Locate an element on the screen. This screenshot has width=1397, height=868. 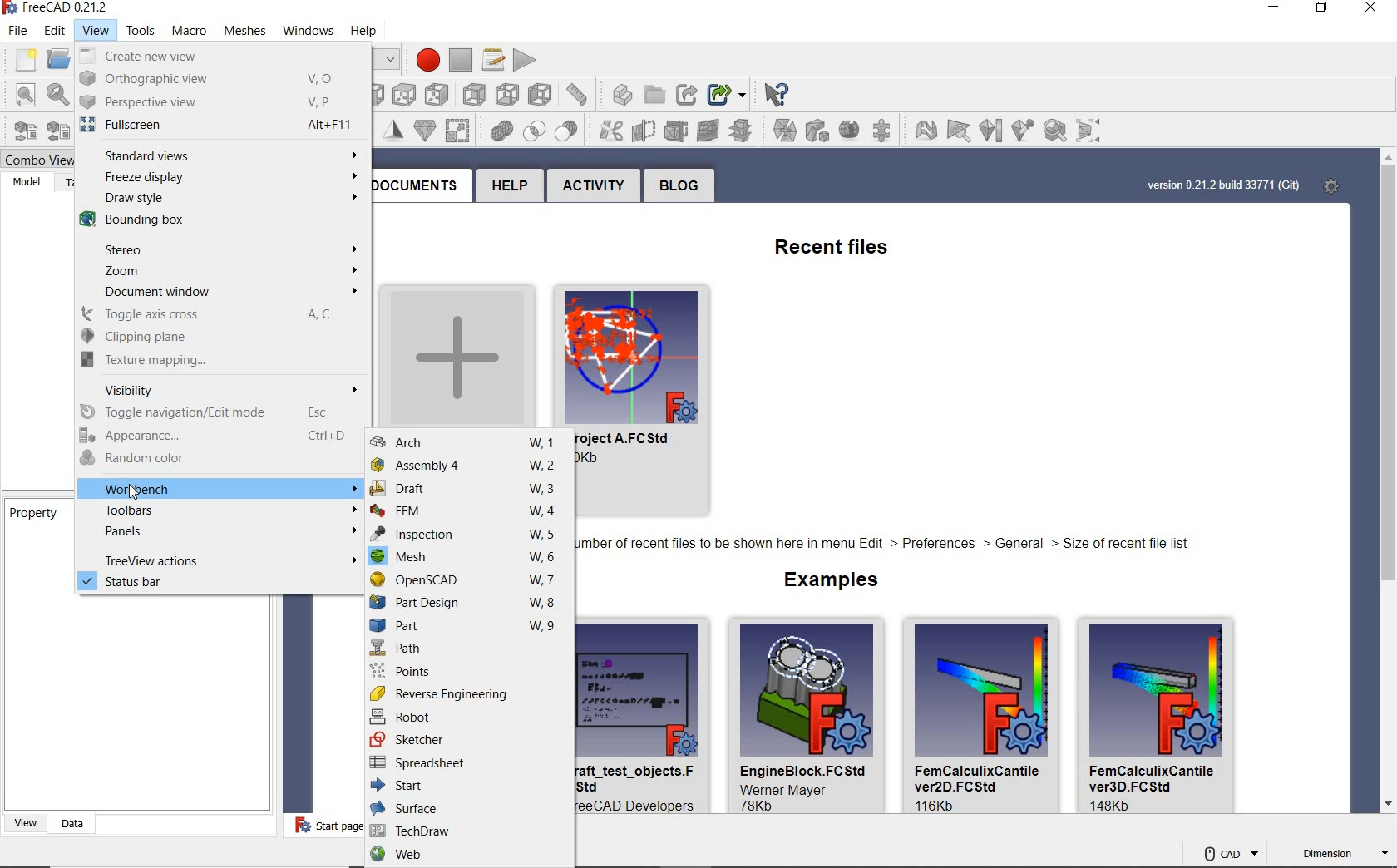
data is located at coordinates (68, 823).